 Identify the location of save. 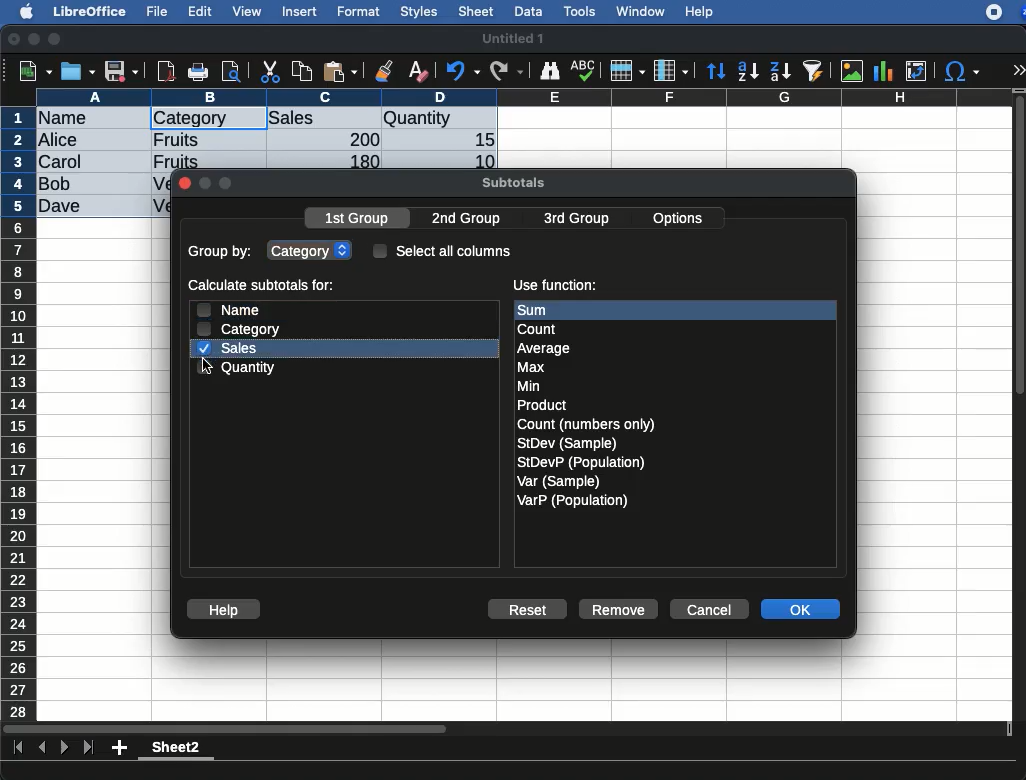
(79, 71).